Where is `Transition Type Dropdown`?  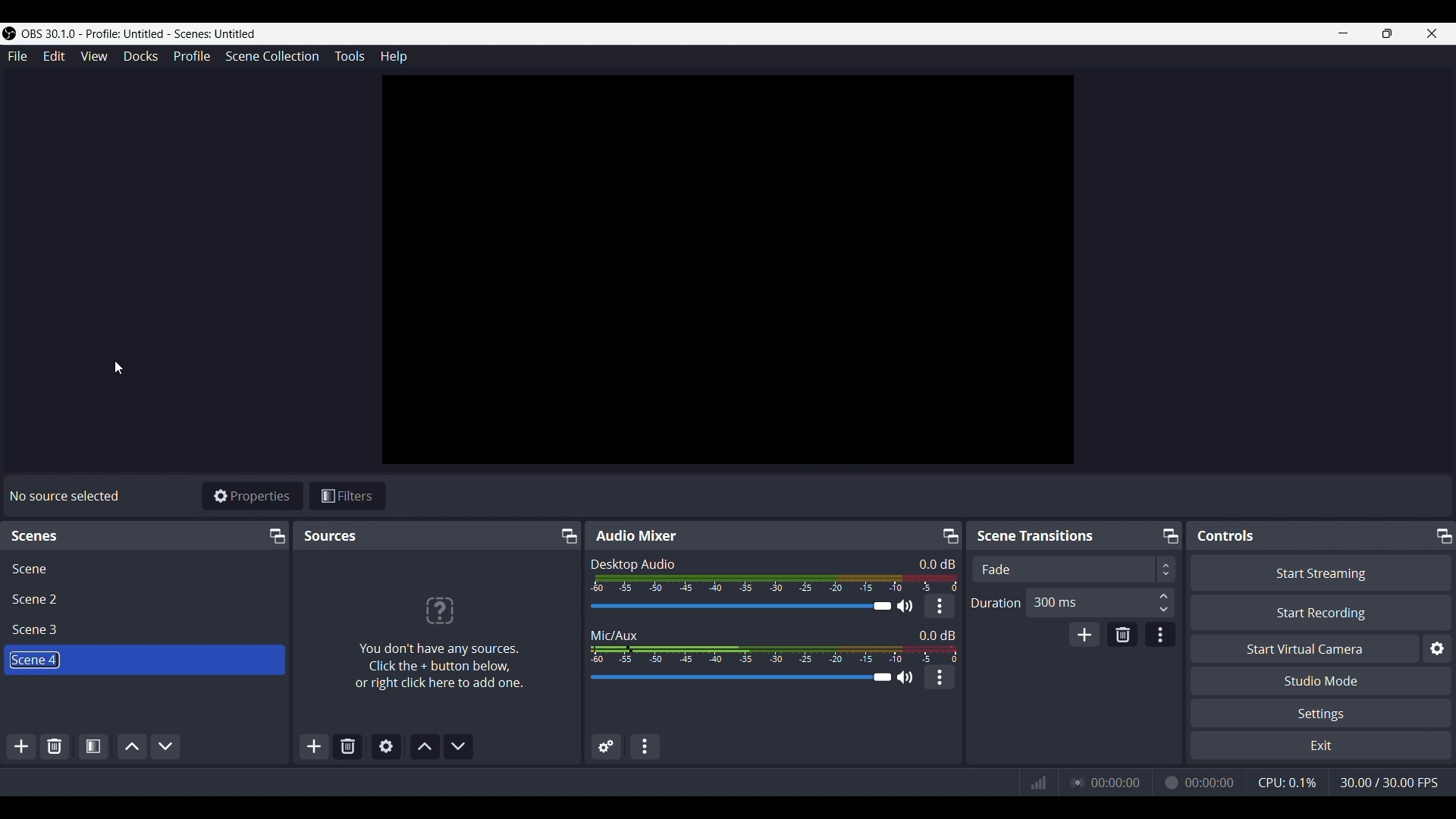
Transition Type Dropdown is located at coordinates (1247, 569).